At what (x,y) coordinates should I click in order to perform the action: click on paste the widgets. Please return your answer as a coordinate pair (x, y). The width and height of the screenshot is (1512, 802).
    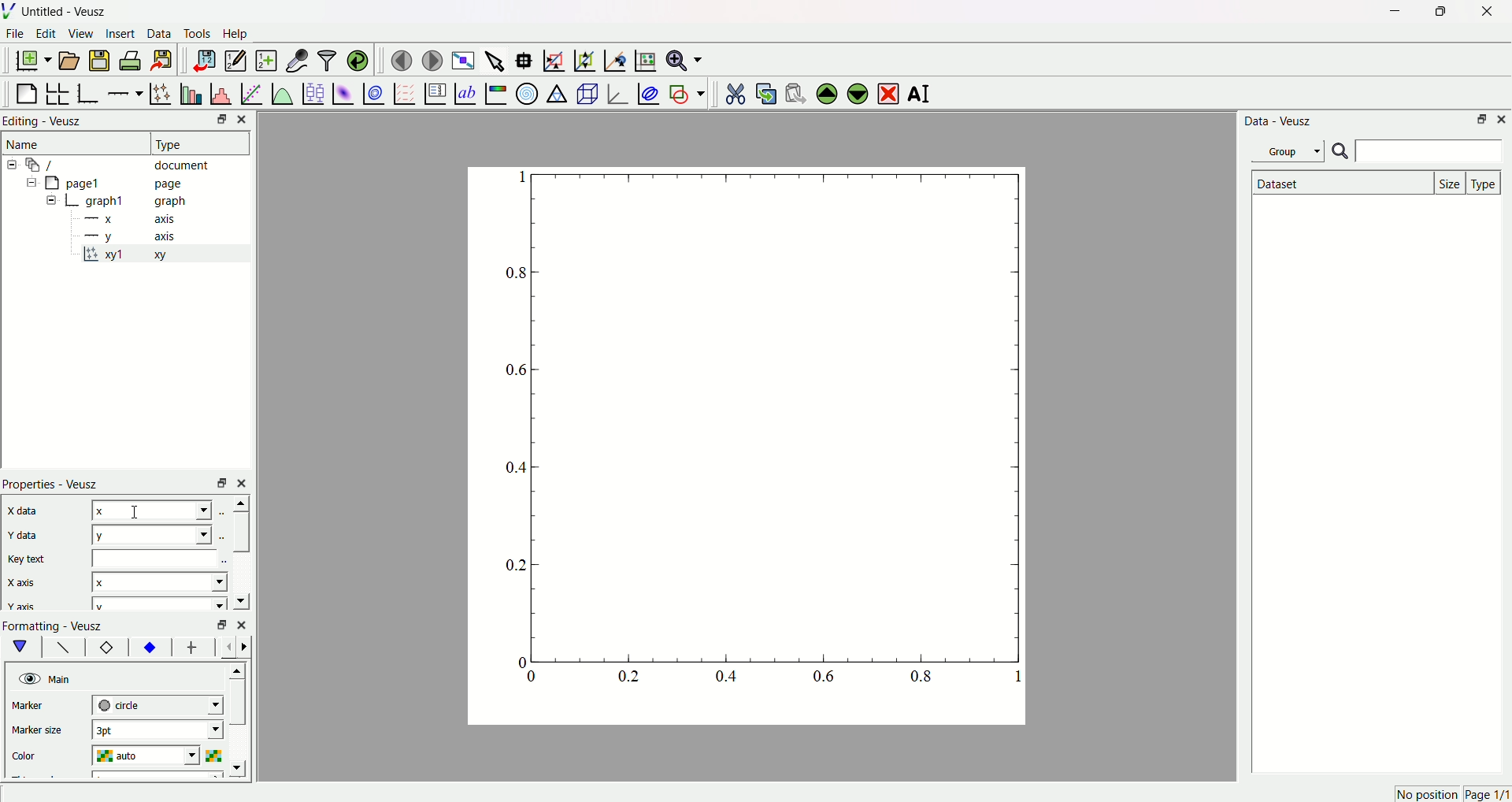
    Looking at the image, I should click on (796, 91).